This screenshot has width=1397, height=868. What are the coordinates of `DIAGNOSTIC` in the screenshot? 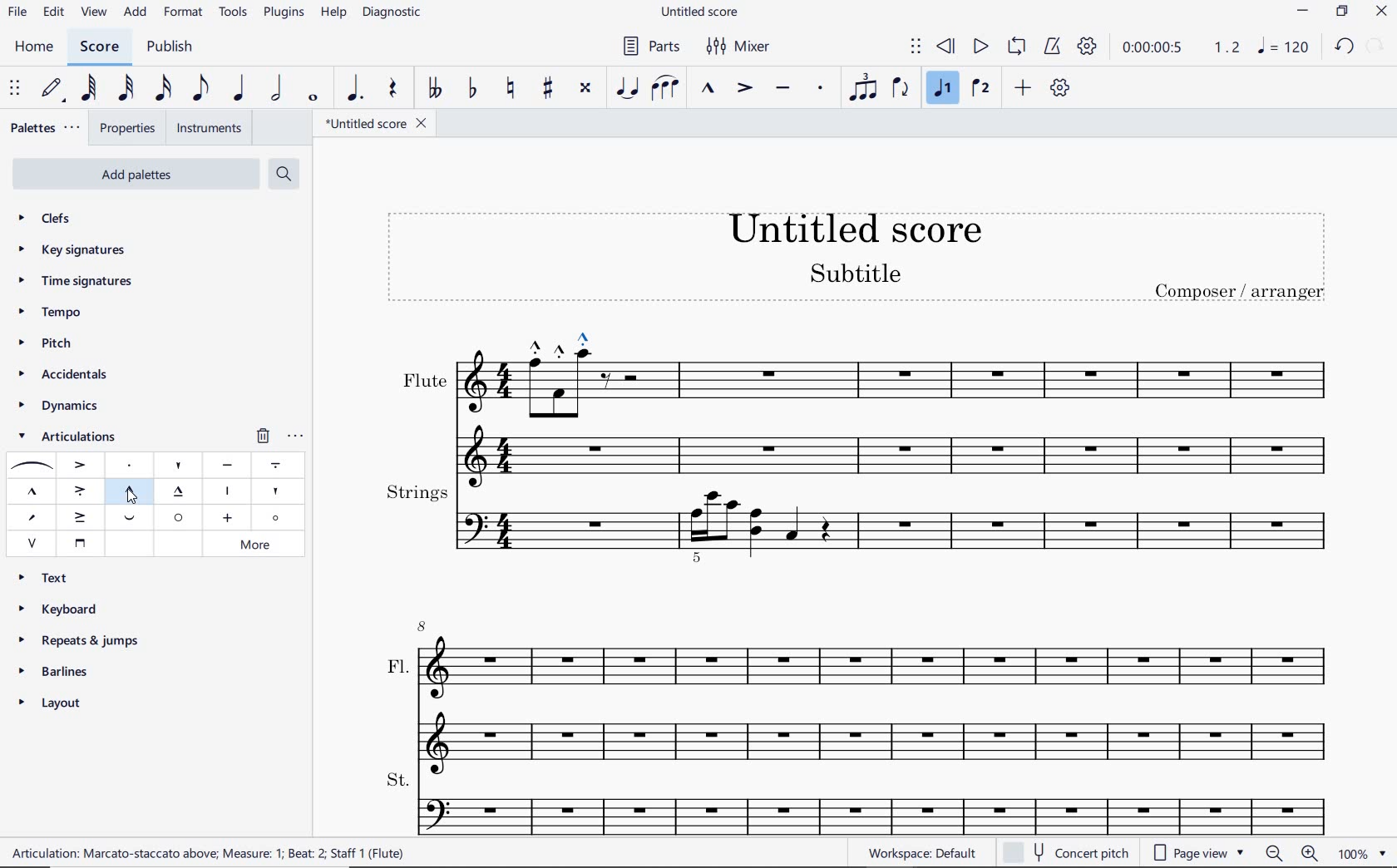 It's located at (395, 13).